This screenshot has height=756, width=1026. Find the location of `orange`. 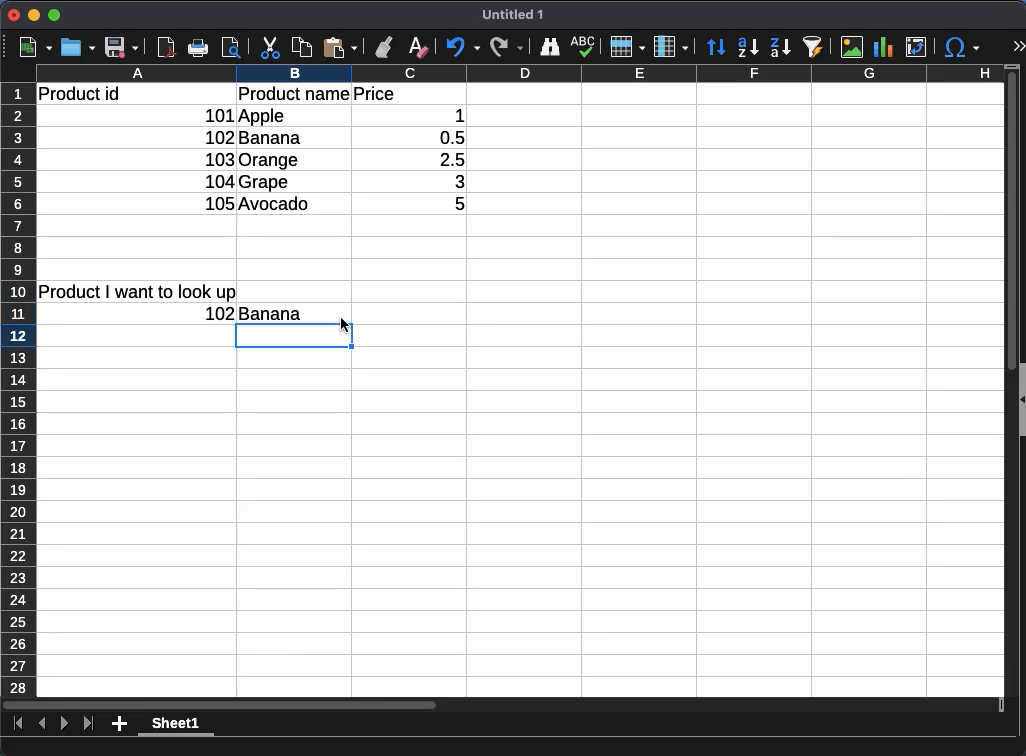

orange is located at coordinates (271, 161).